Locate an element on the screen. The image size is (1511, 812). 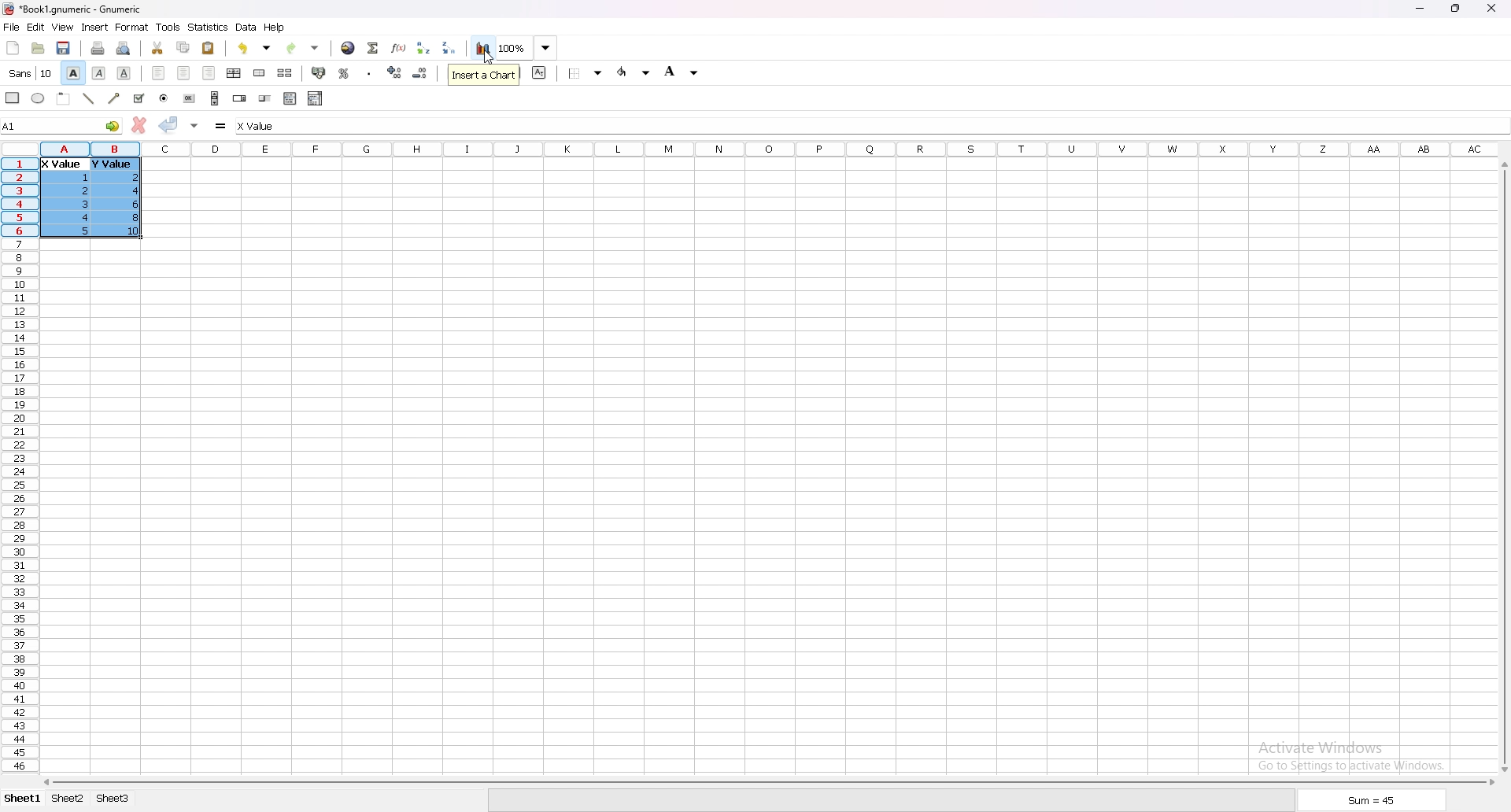
merge cells is located at coordinates (259, 73).